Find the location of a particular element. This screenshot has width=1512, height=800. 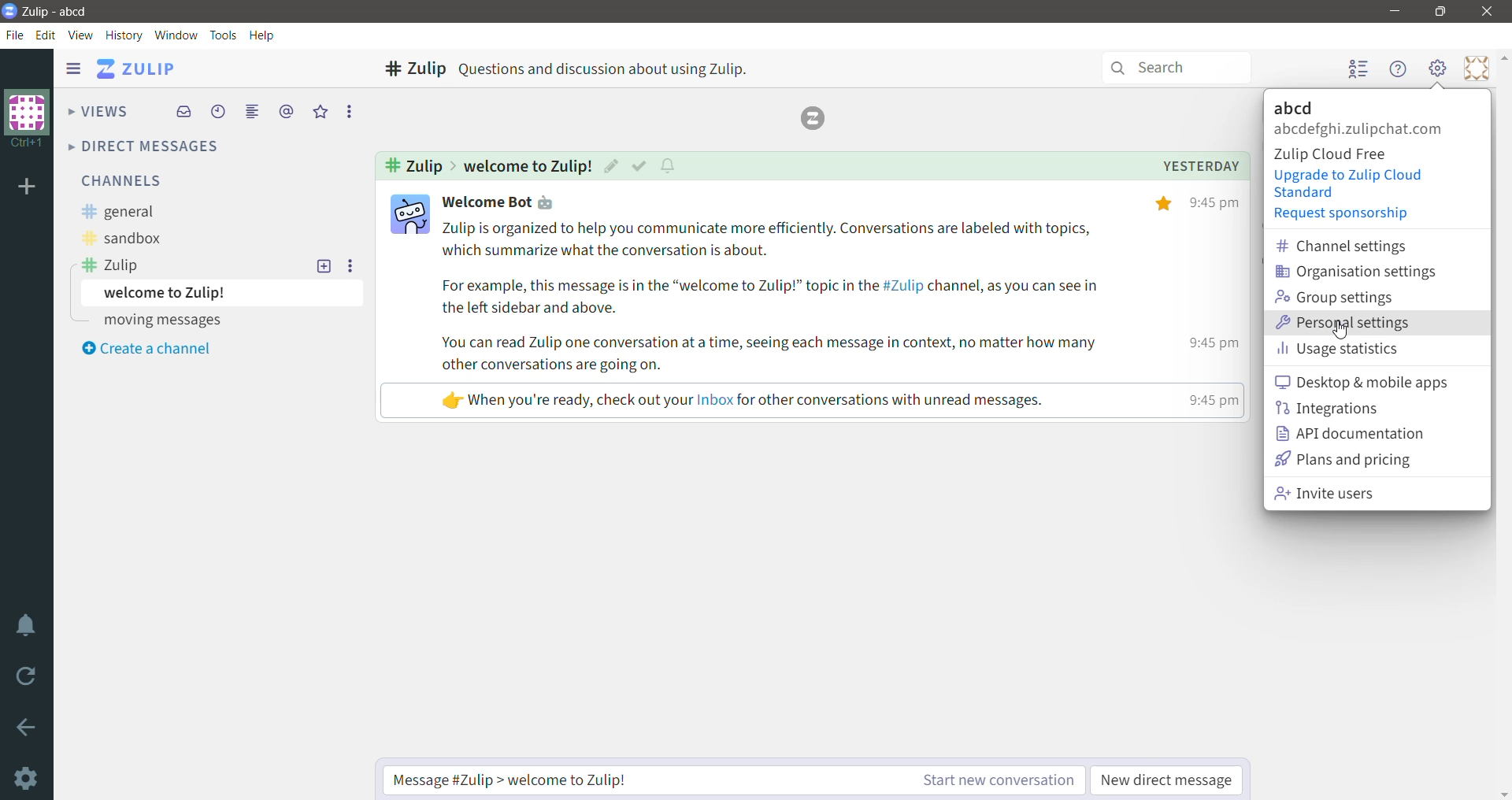

 is located at coordinates (1355, 272).